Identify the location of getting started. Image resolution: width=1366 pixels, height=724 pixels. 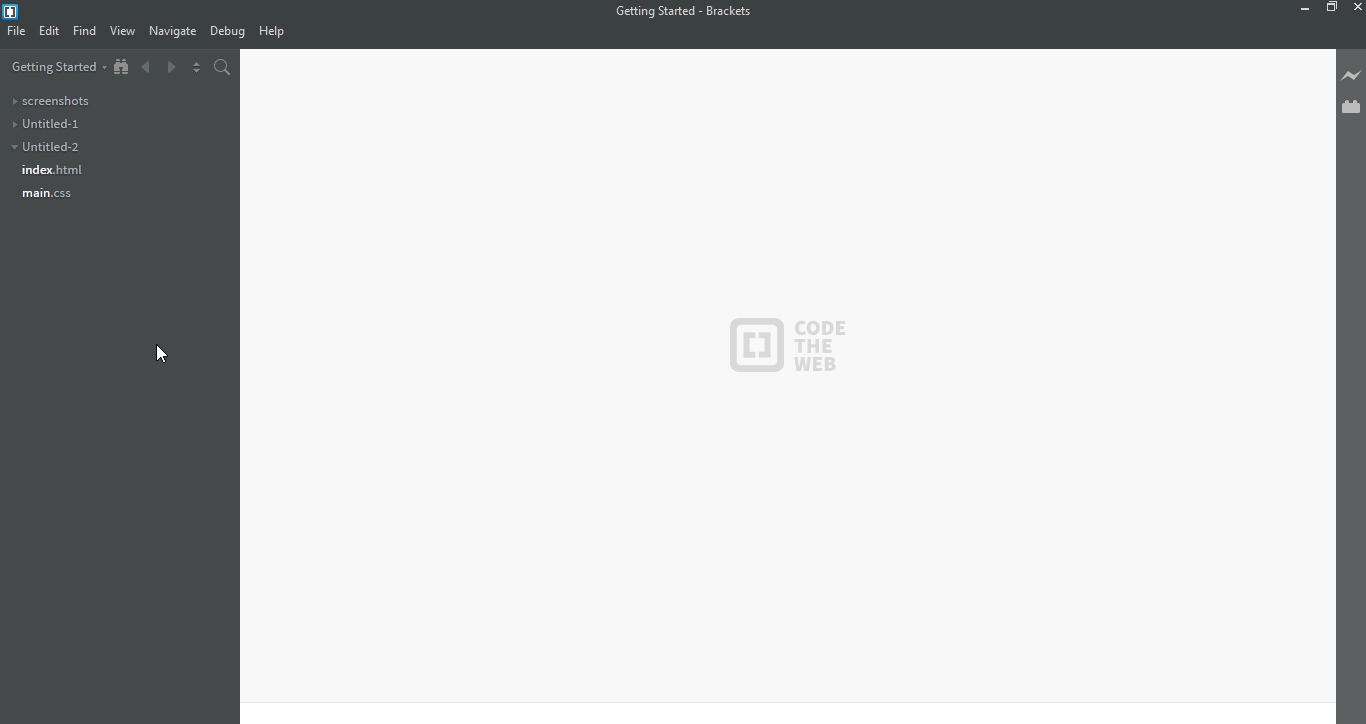
(57, 66).